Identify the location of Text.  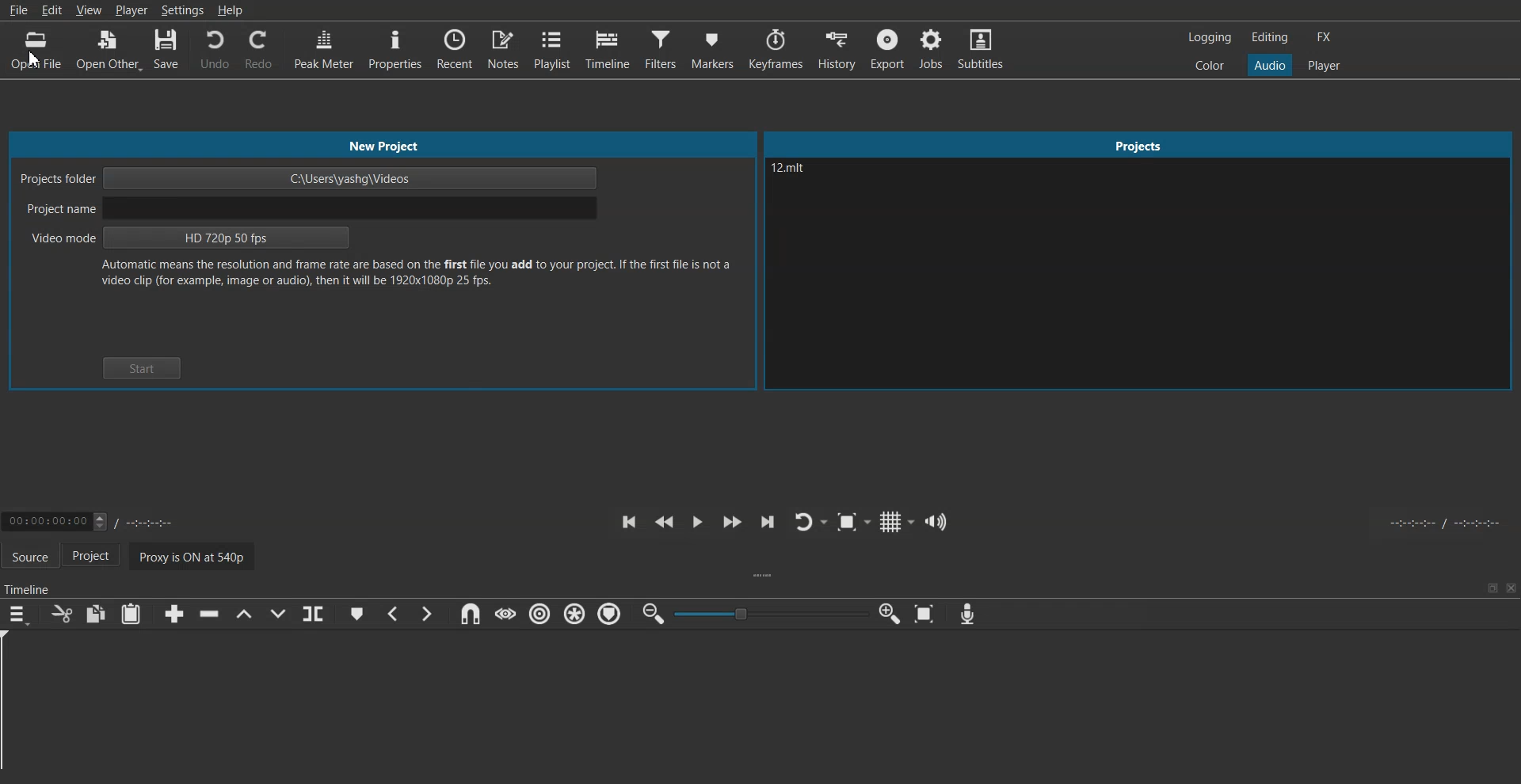
(792, 169).